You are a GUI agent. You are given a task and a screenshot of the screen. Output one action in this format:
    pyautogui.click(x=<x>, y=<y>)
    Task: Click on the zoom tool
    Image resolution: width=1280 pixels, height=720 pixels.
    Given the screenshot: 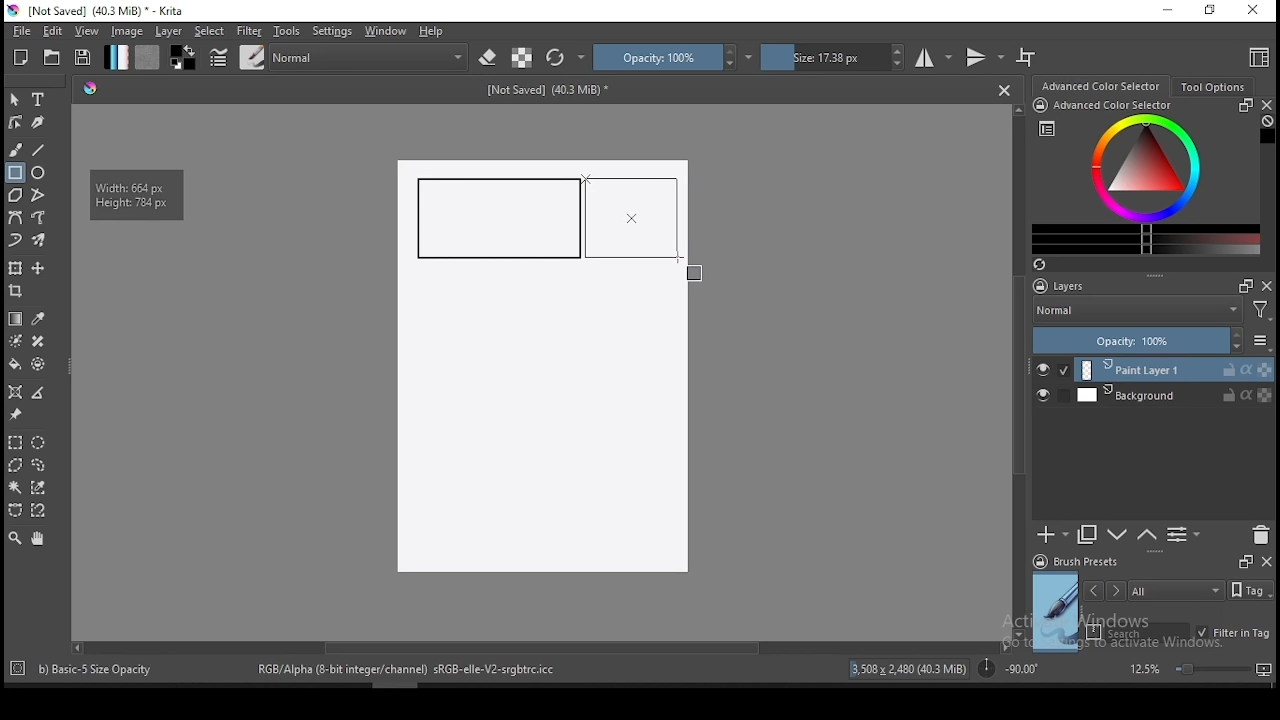 What is the action you would take?
    pyautogui.click(x=15, y=537)
    